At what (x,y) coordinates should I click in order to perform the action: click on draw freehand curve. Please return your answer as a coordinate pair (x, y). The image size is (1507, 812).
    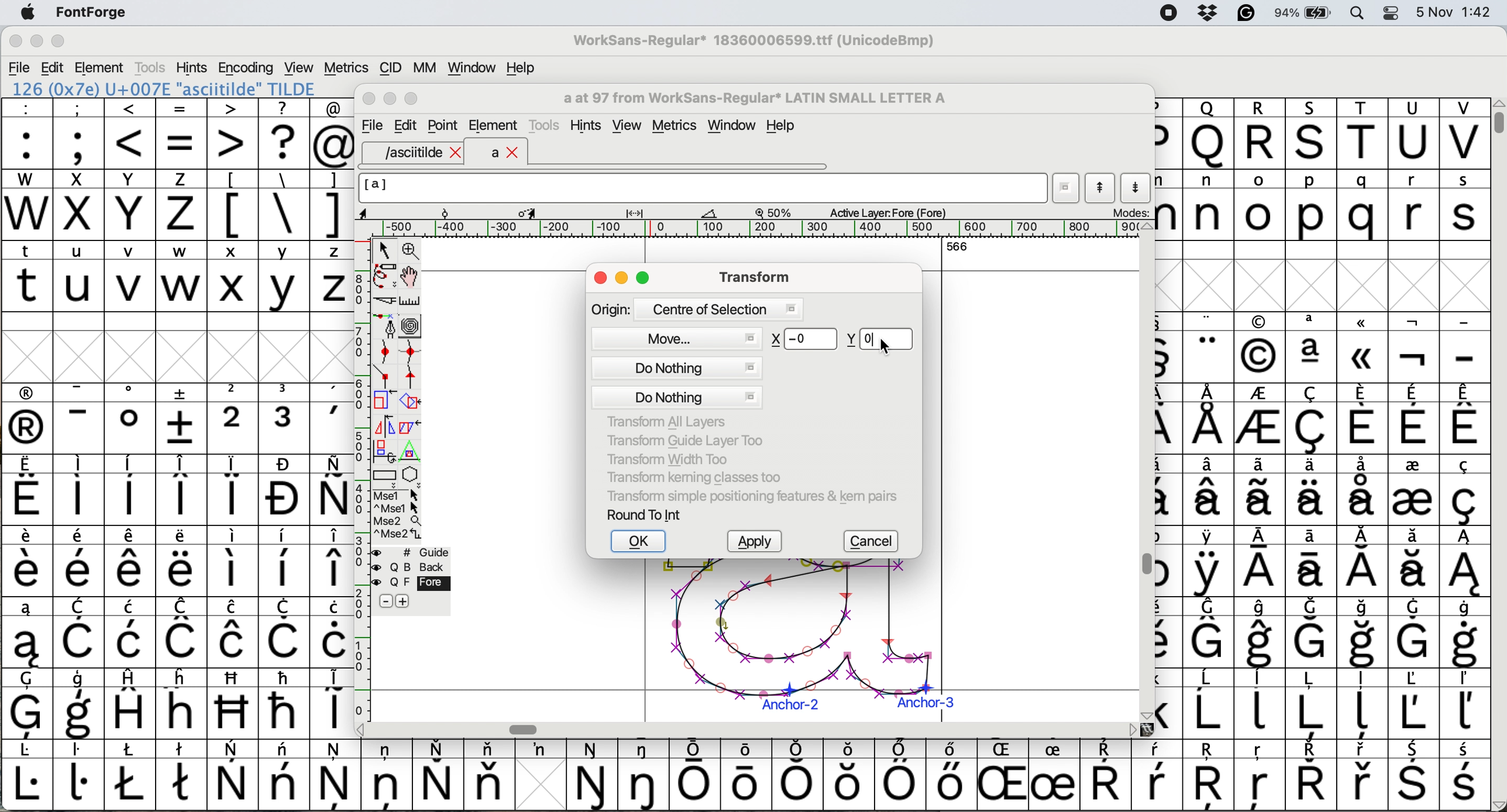
    Looking at the image, I should click on (384, 276).